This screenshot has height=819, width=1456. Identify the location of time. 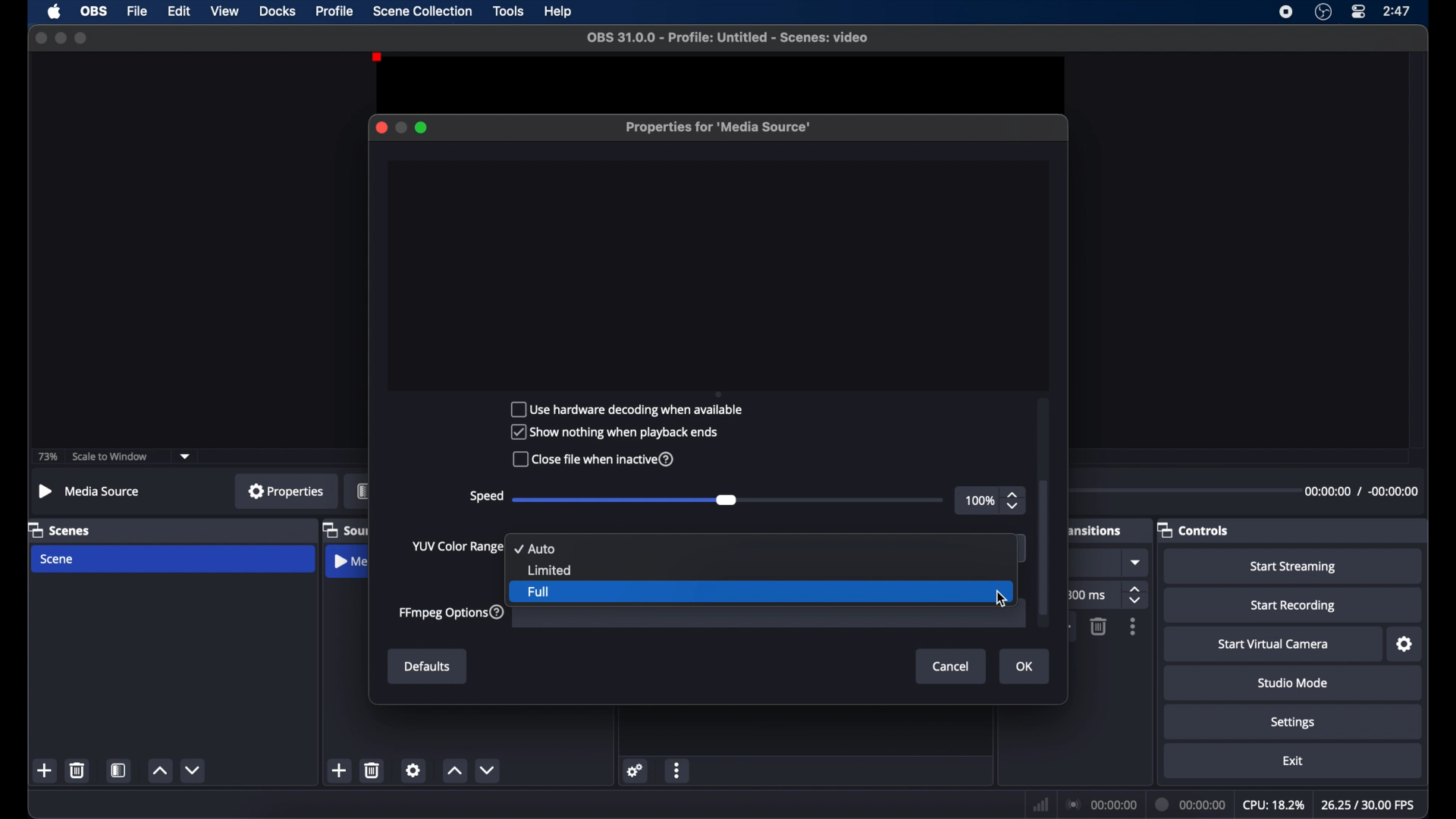
(1398, 11).